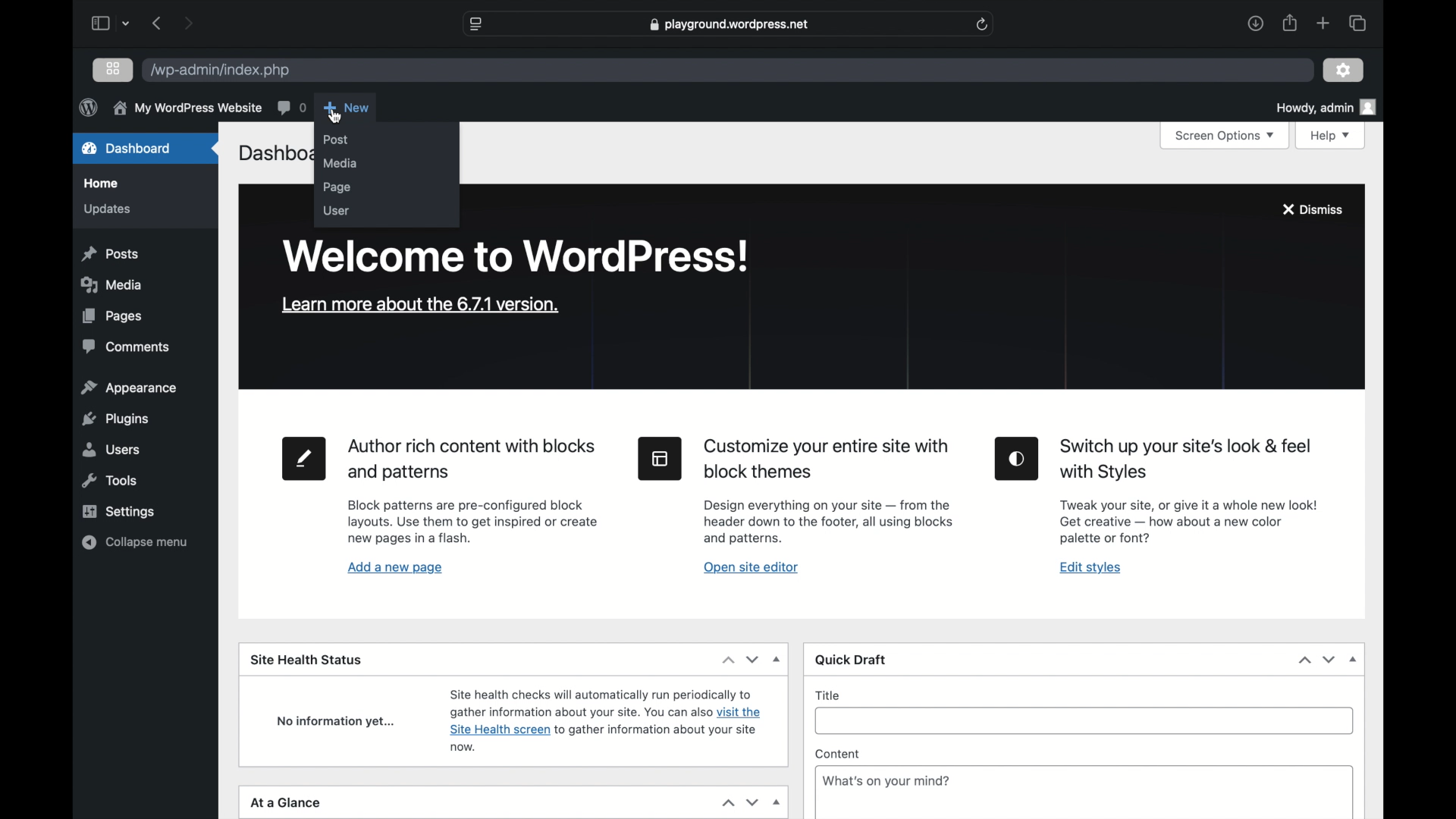  What do you see at coordinates (830, 695) in the screenshot?
I see `title` at bounding box center [830, 695].